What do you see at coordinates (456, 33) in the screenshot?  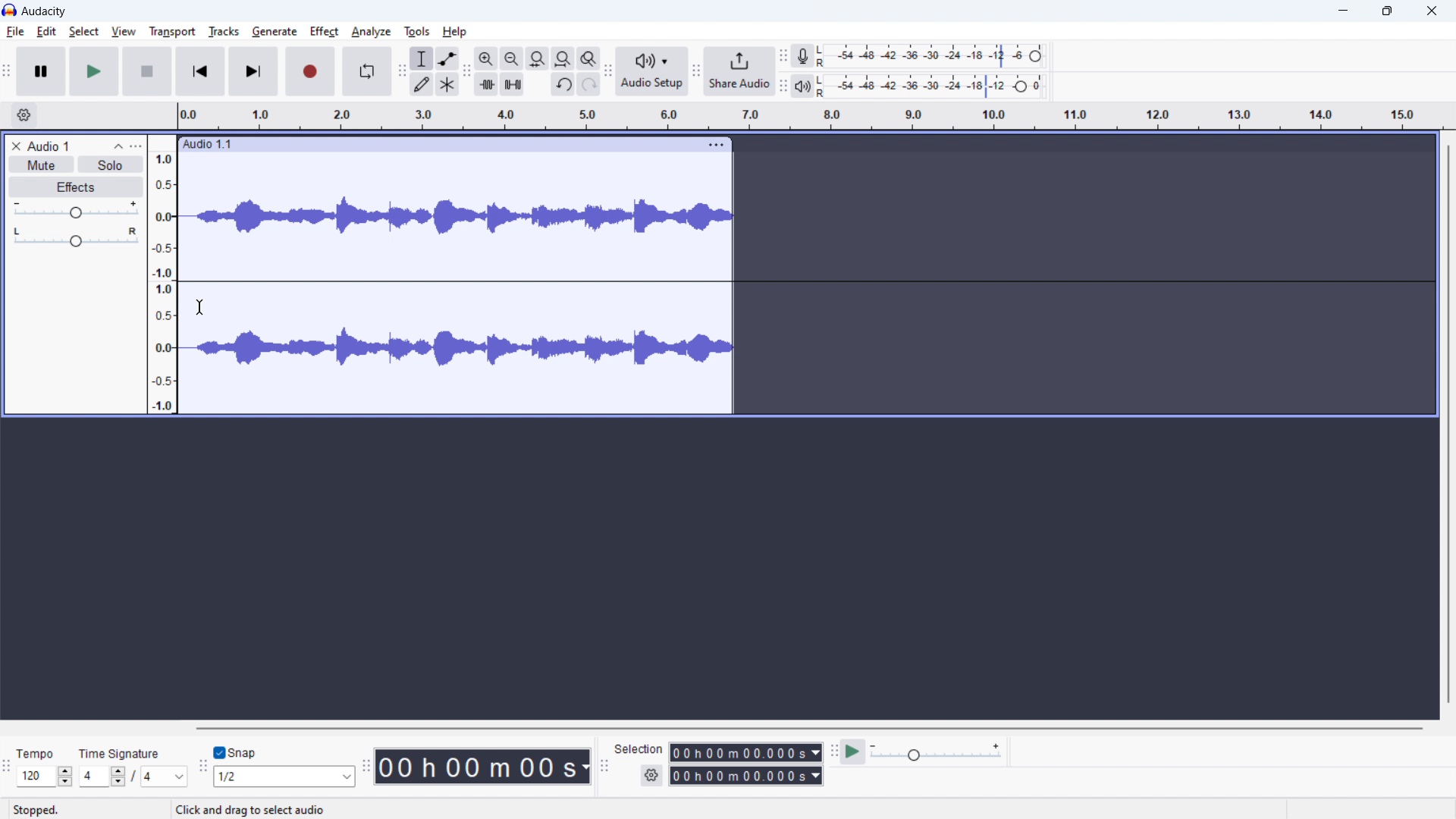 I see `help` at bounding box center [456, 33].